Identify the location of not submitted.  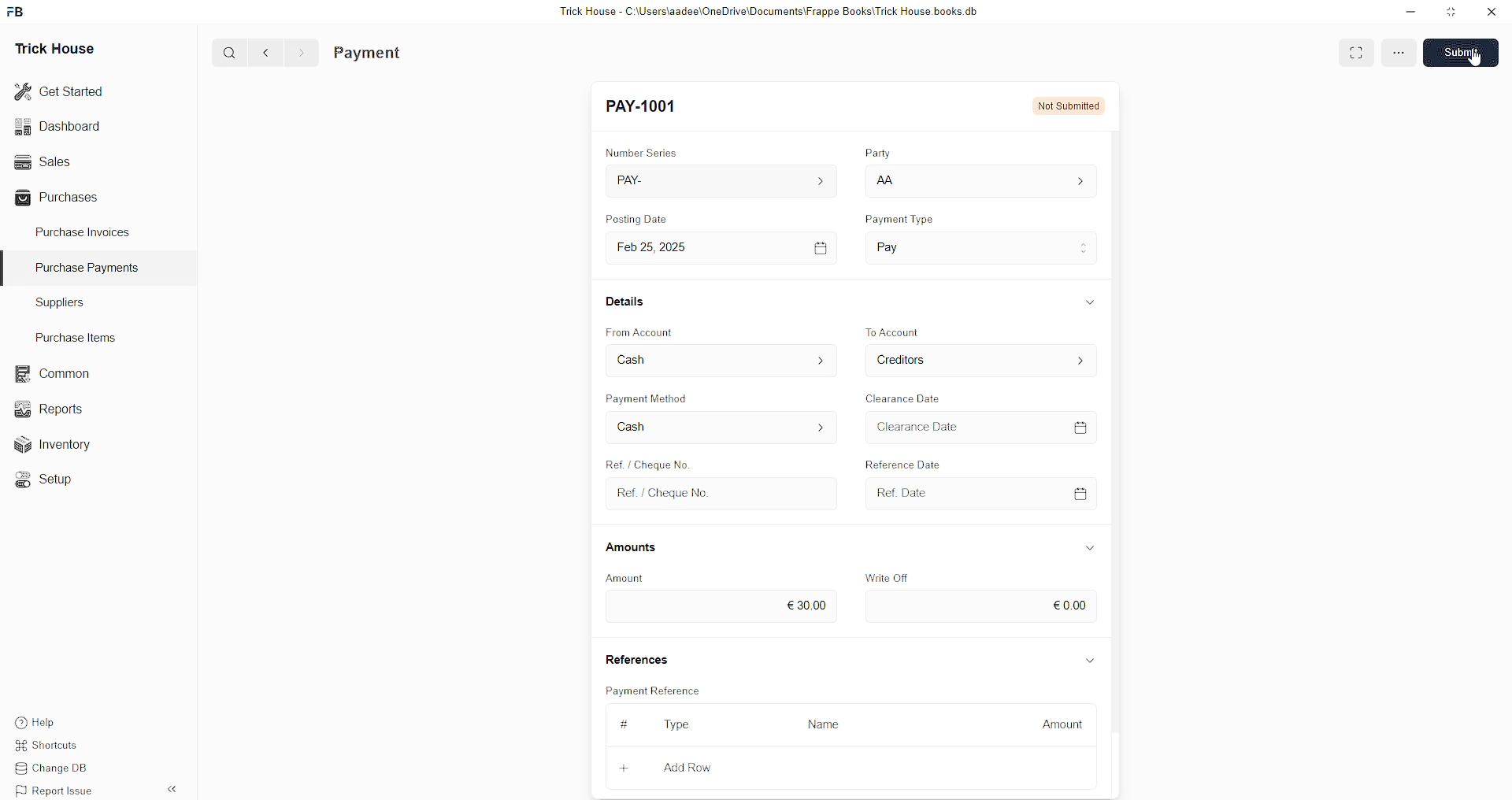
(1070, 104).